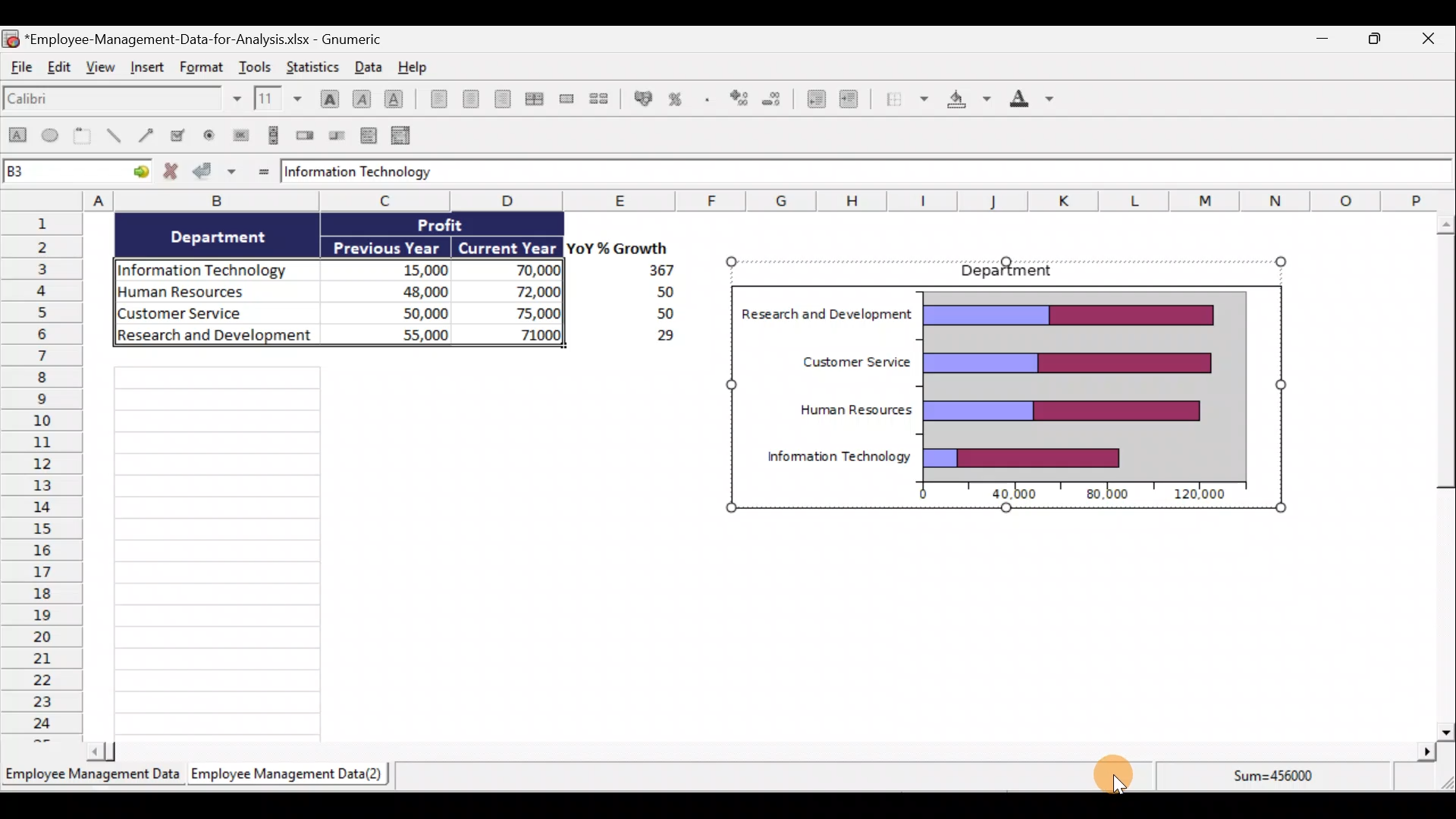  Describe the element at coordinates (368, 66) in the screenshot. I see `Data` at that location.